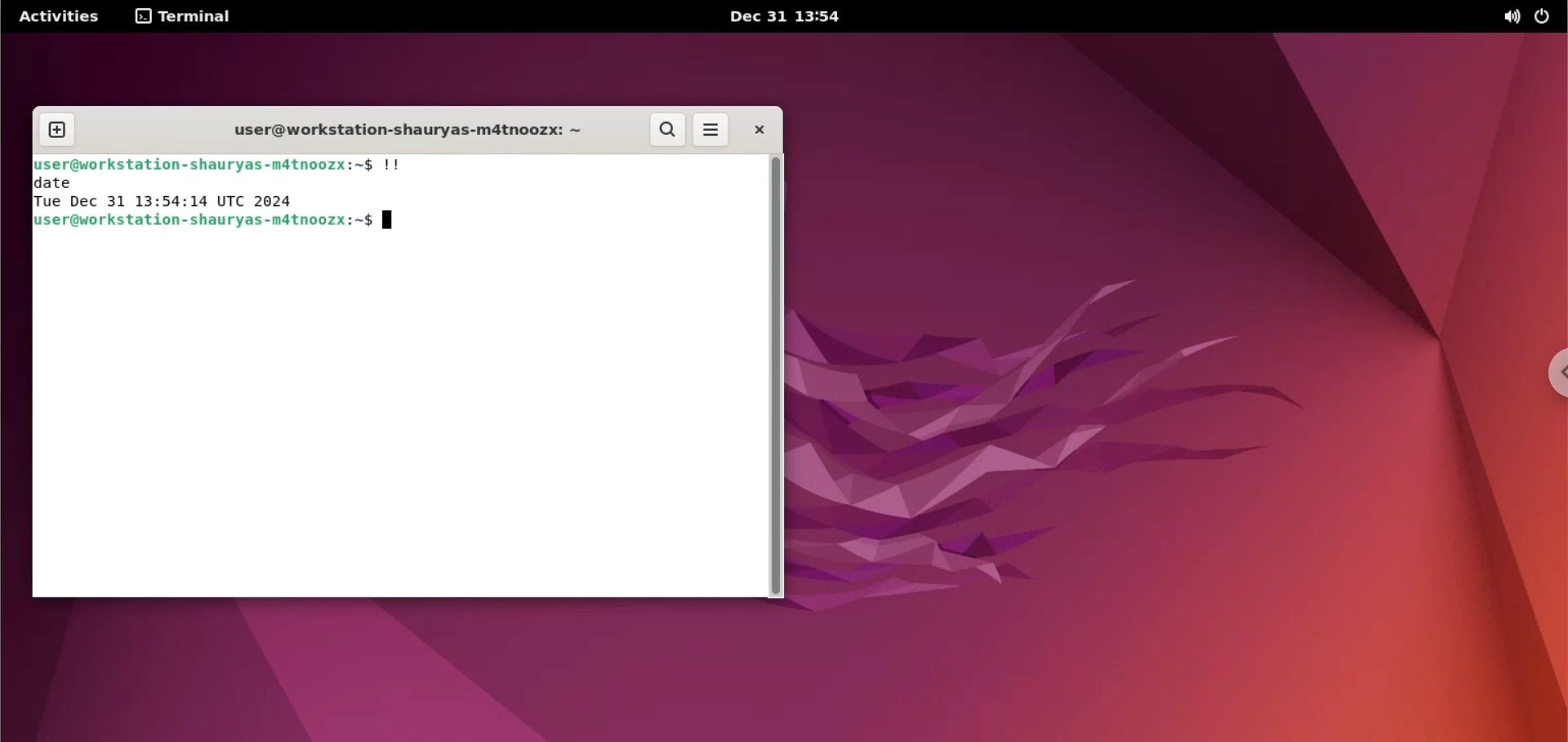  Describe the element at coordinates (669, 130) in the screenshot. I see `search` at that location.